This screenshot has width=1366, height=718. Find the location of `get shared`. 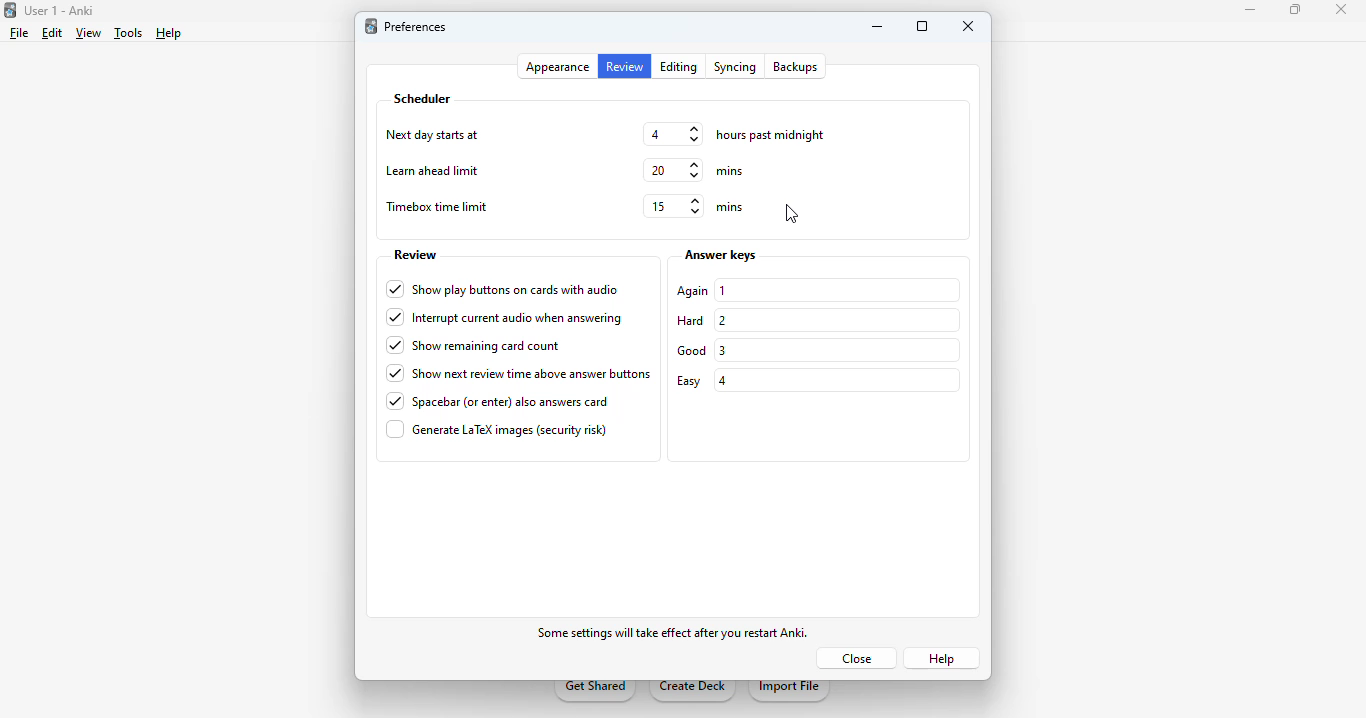

get shared is located at coordinates (596, 691).